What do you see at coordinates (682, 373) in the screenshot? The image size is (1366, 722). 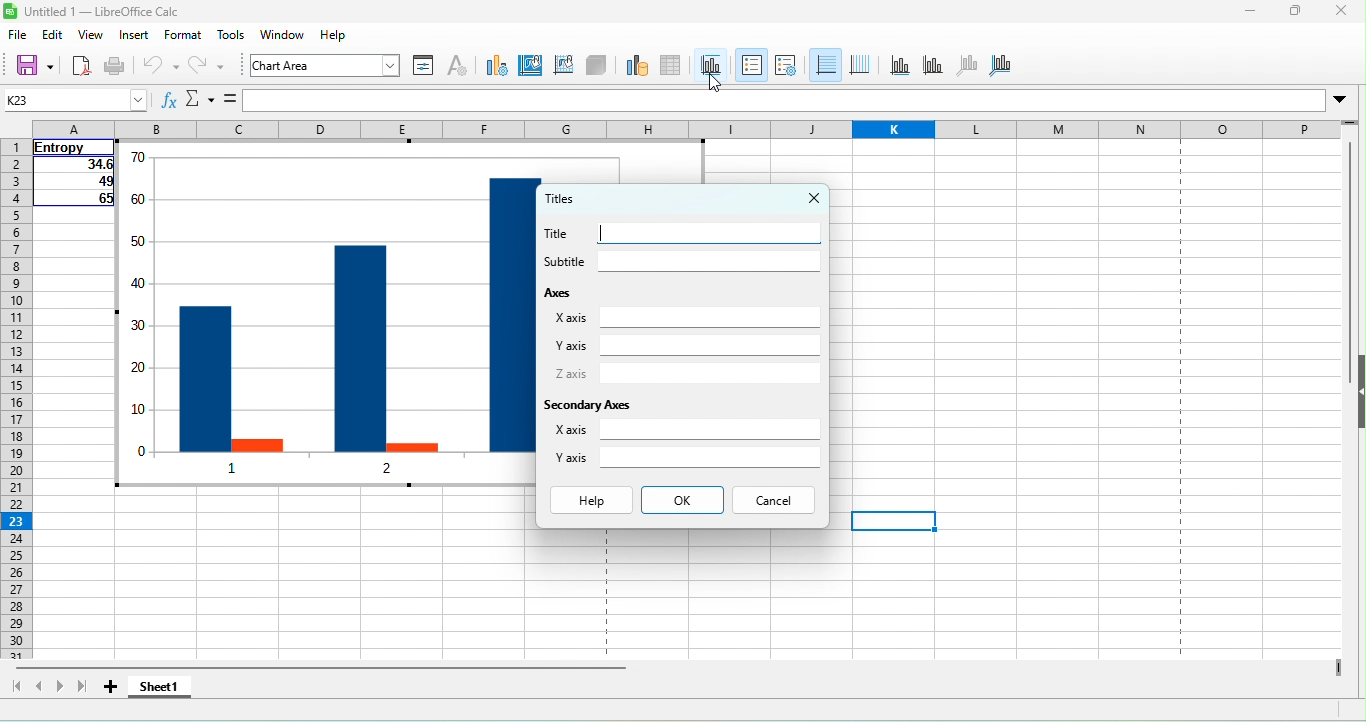 I see `z axis` at bounding box center [682, 373].